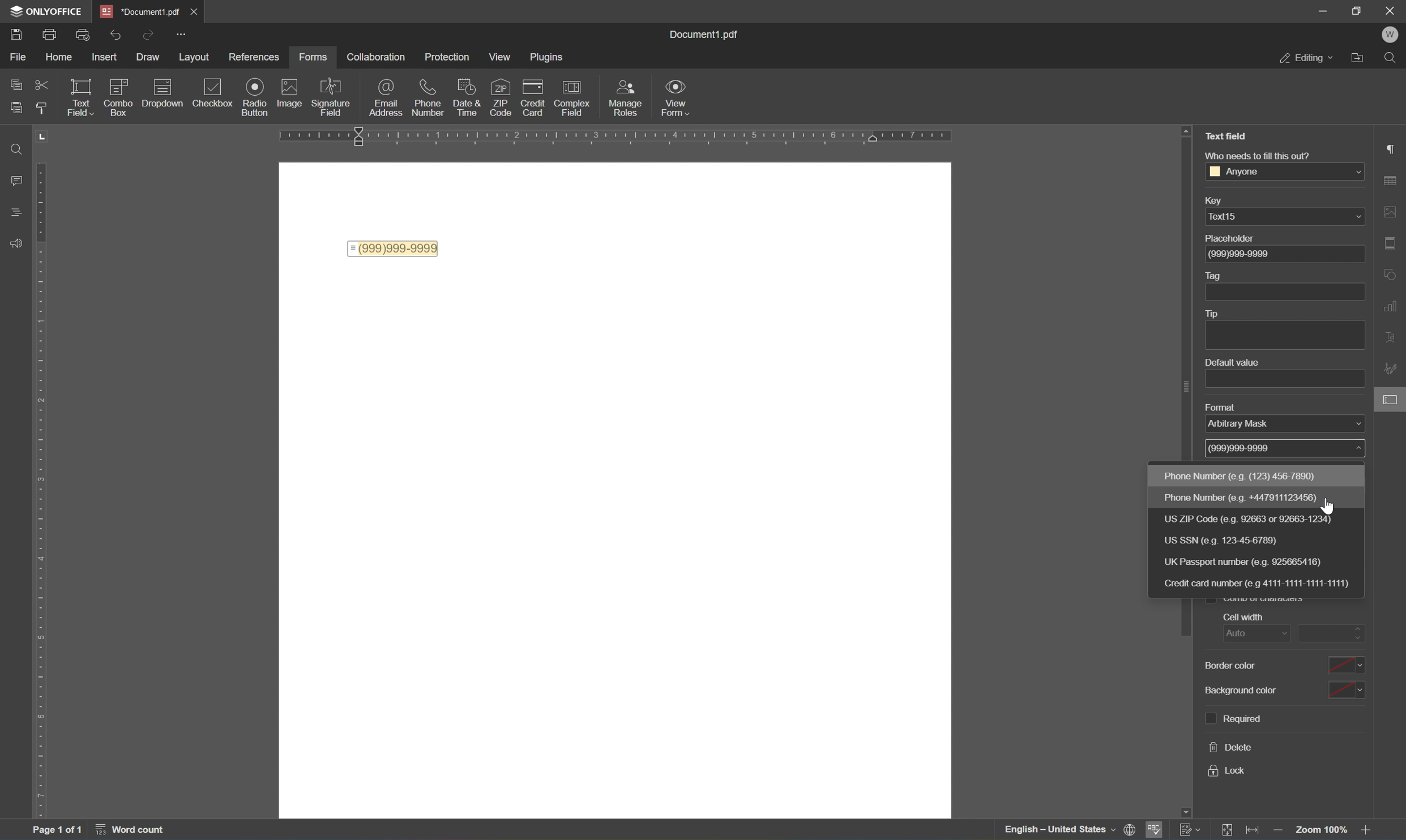  Describe the element at coordinates (1370, 832) in the screenshot. I see `zoom in` at that location.